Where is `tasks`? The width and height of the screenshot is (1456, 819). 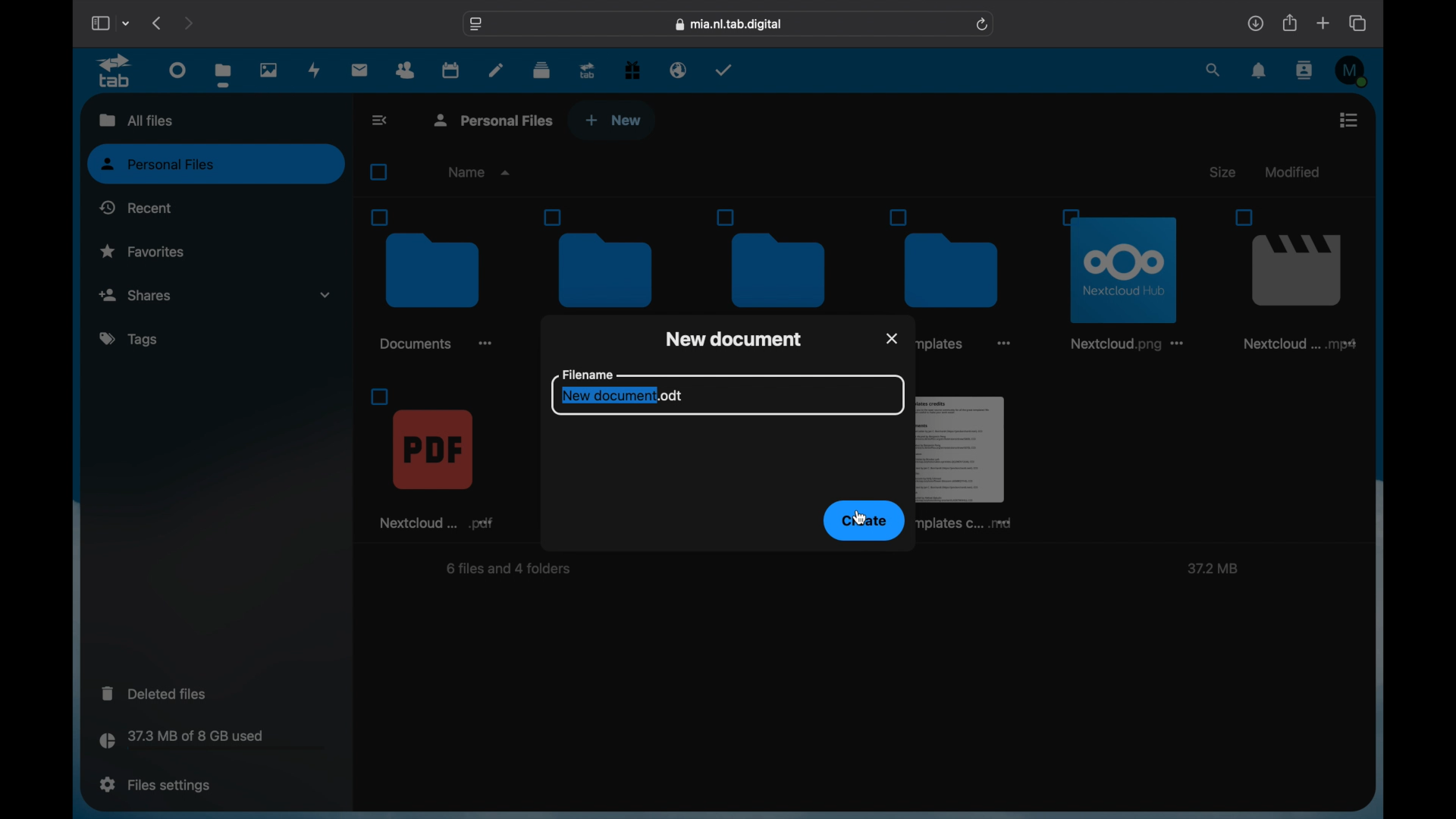
tasks is located at coordinates (724, 70).